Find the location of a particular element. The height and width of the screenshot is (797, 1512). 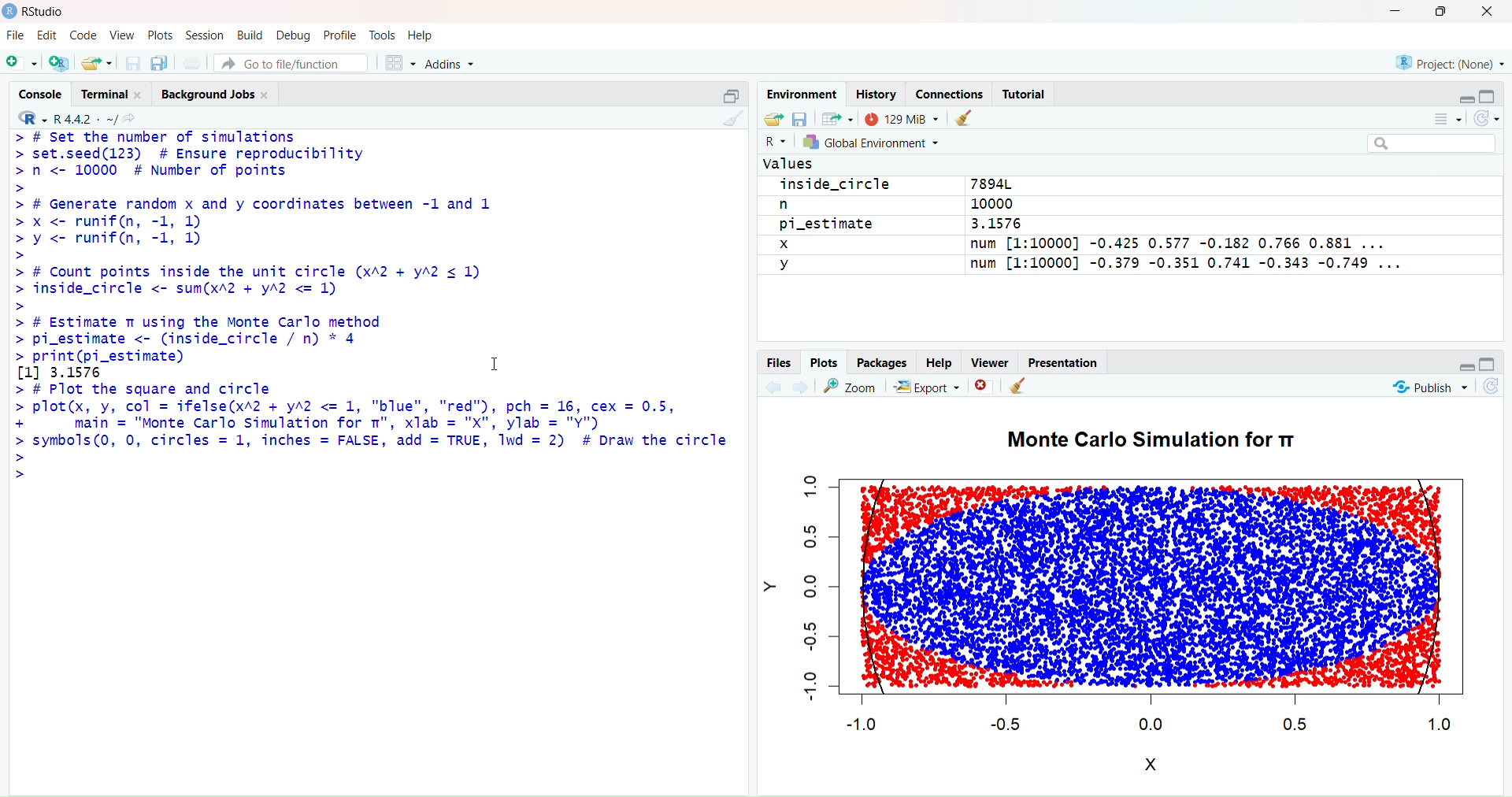

Help is located at coordinates (424, 34).